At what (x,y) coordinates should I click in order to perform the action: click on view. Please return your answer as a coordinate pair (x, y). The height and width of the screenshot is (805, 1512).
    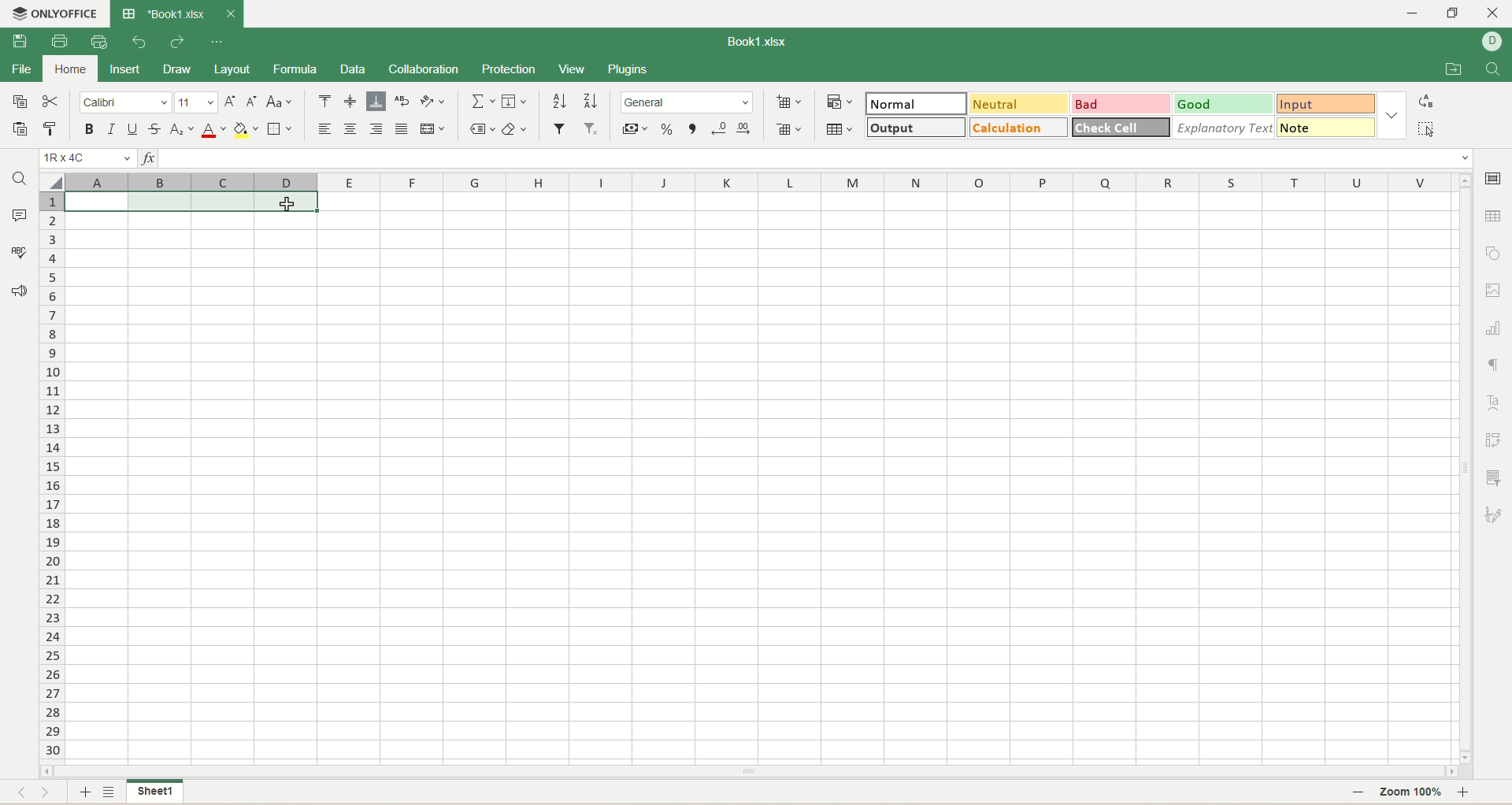
    Looking at the image, I should click on (573, 69).